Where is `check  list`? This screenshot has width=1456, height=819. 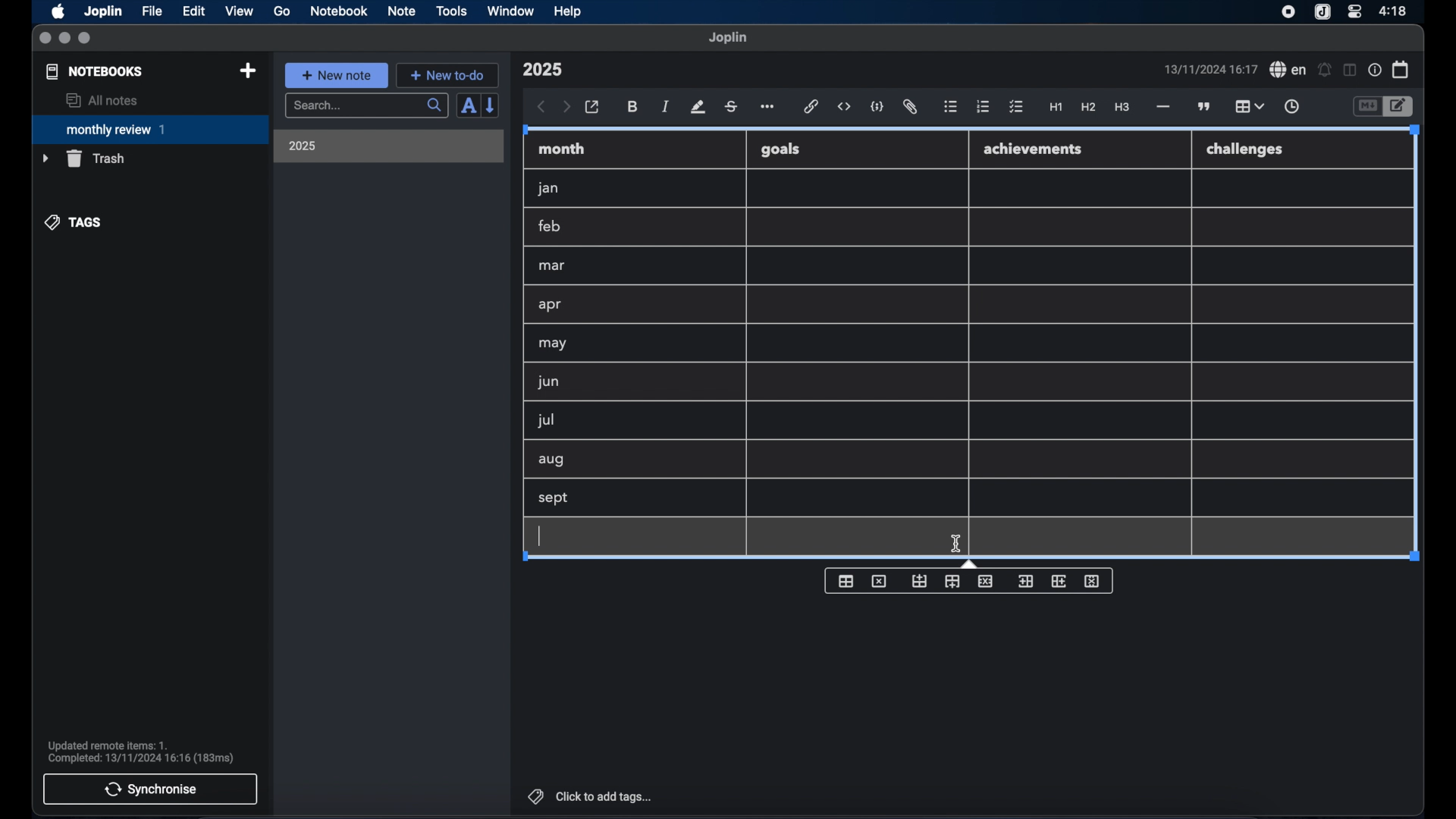 check  list is located at coordinates (1016, 108).